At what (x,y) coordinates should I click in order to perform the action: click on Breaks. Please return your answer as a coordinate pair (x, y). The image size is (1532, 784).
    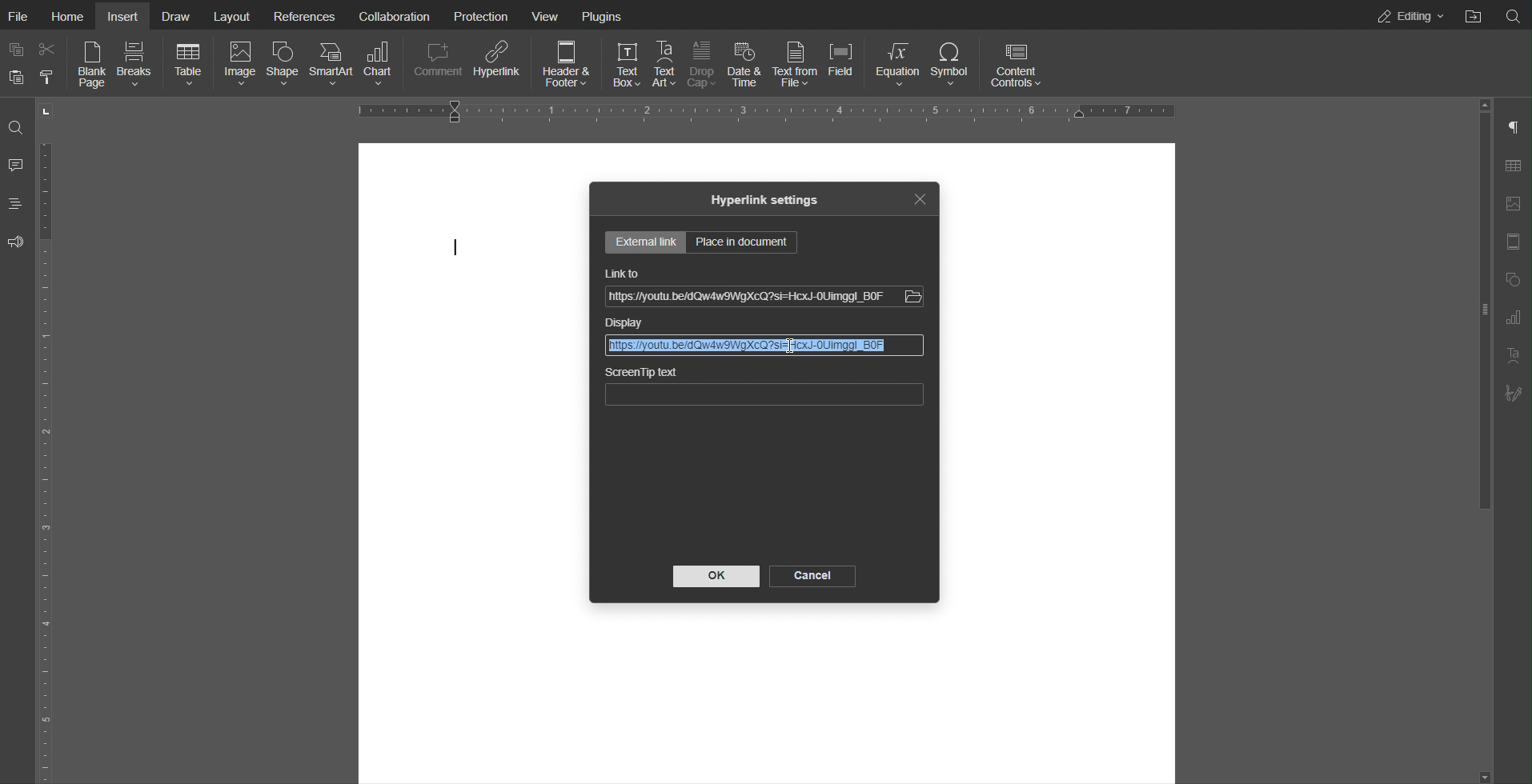
    Looking at the image, I should click on (140, 66).